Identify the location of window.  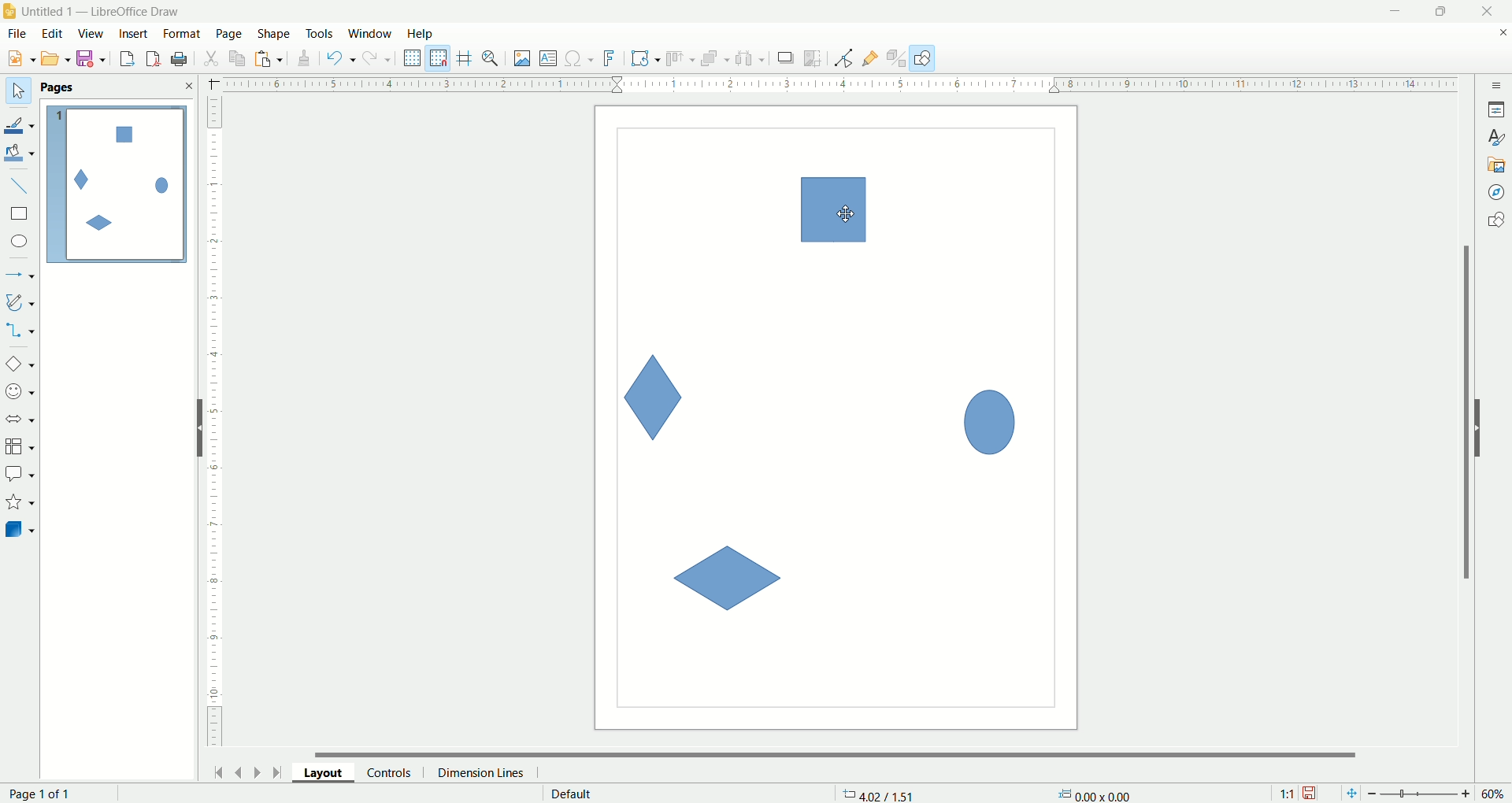
(374, 35).